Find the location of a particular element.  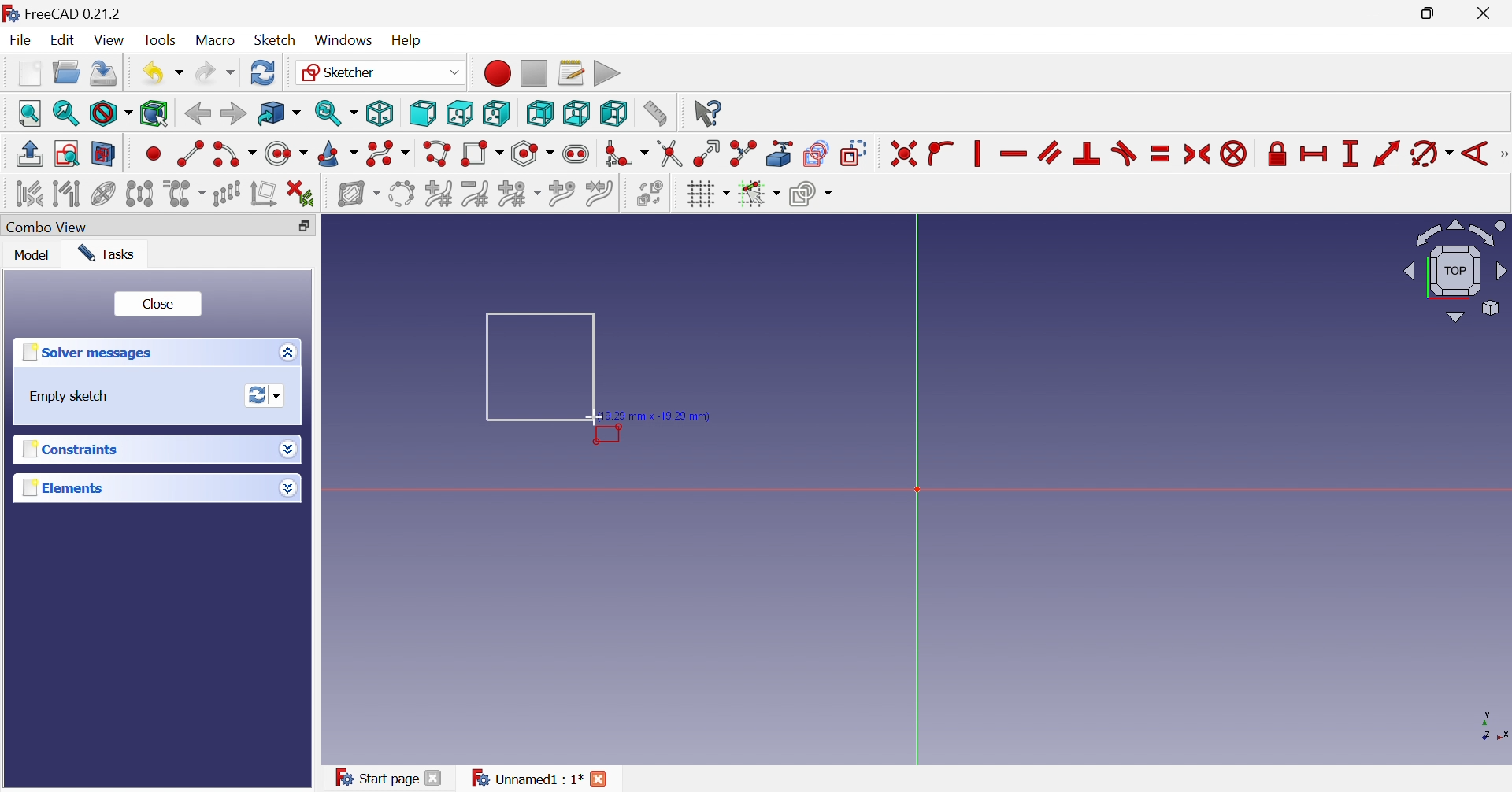

Constrain lock is located at coordinates (1277, 152).